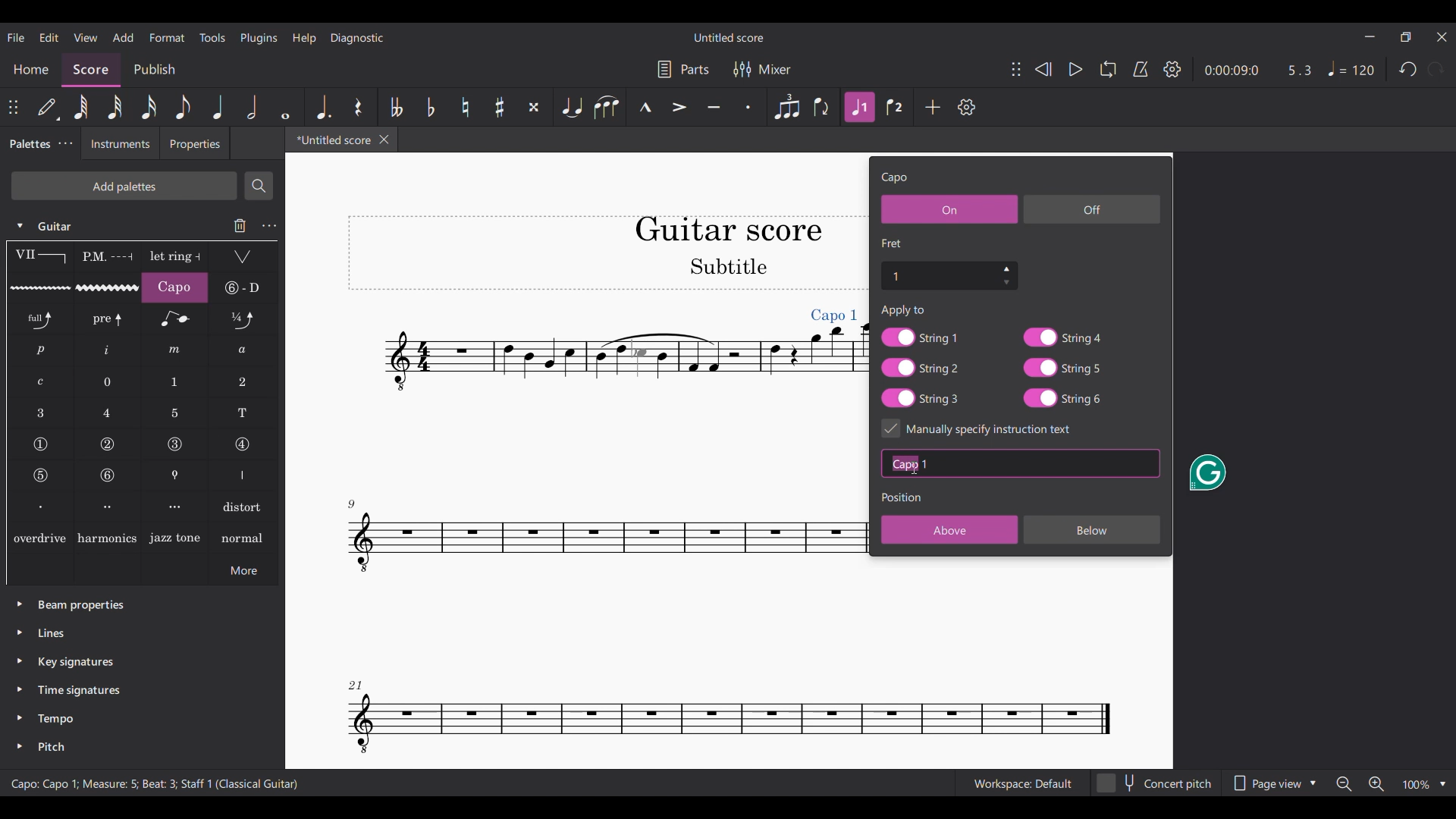  I want to click on Show in smaller tab, so click(1406, 37).